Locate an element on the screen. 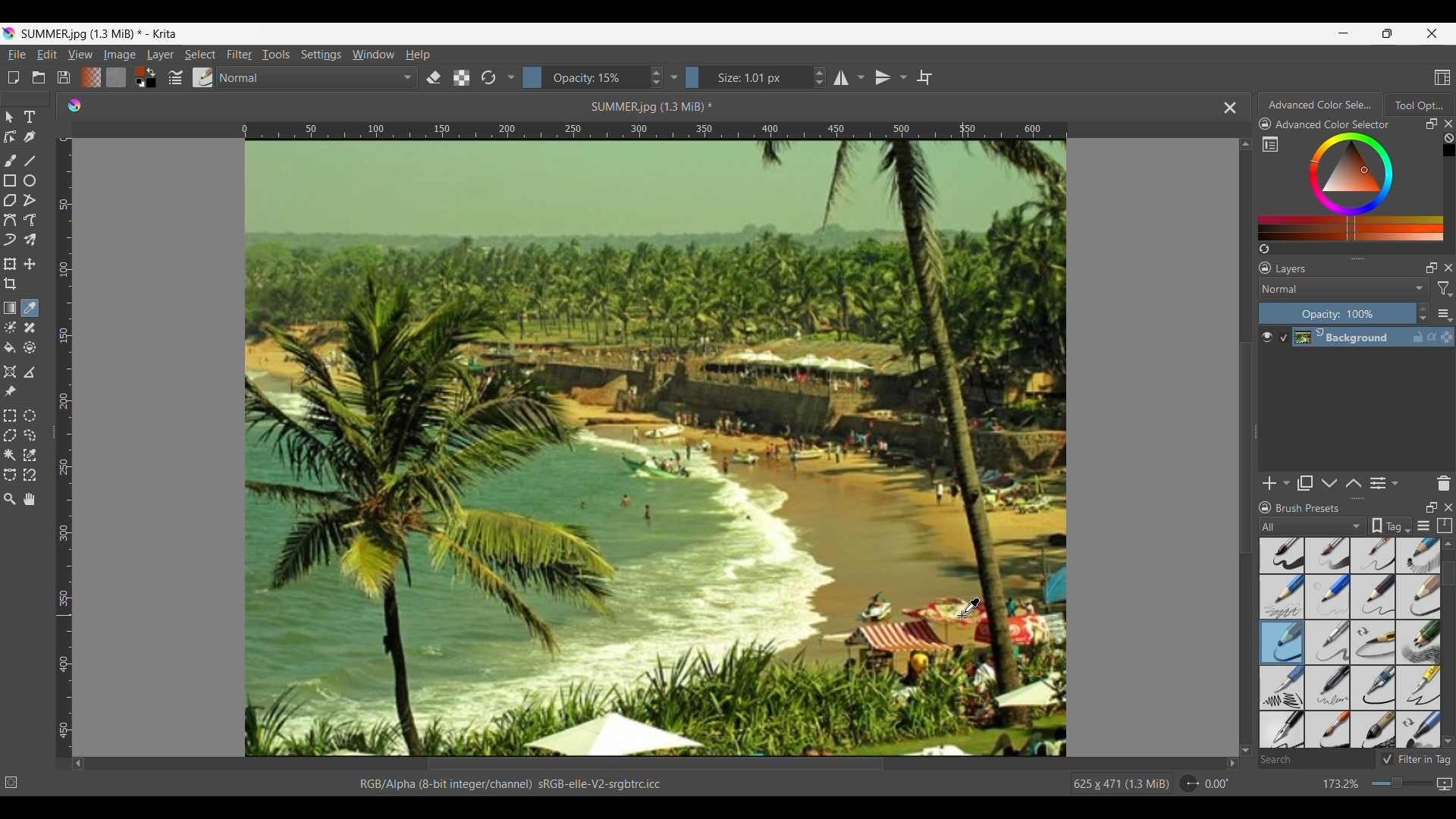 Image resolution: width=1456 pixels, height=819 pixels. Create a list of color from the image is located at coordinates (1265, 249).